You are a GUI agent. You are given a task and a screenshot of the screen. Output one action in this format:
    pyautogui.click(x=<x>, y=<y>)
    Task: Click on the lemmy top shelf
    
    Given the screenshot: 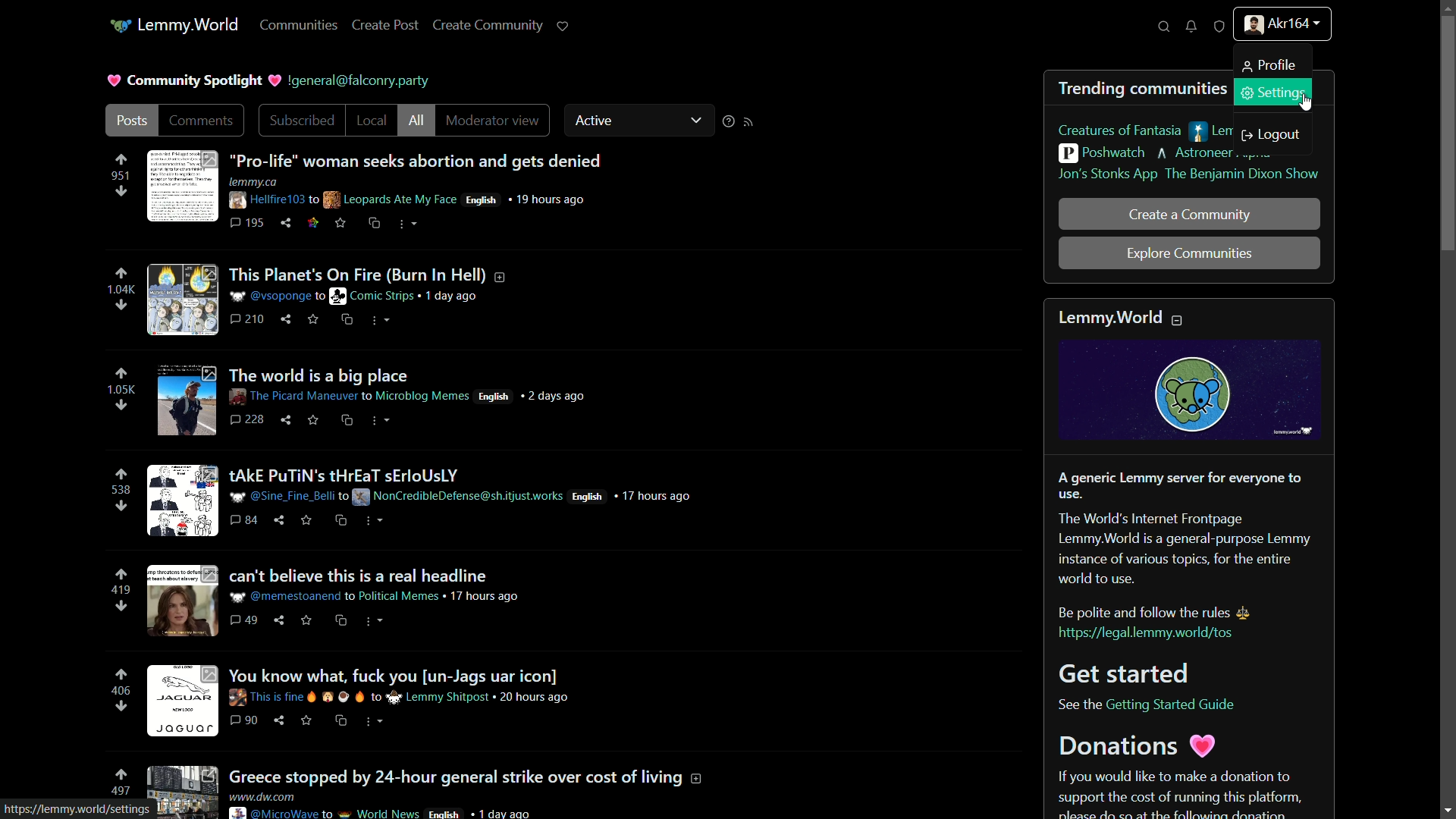 What is the action you would take?
    pyautogui.click(x=1253, y=132)
    